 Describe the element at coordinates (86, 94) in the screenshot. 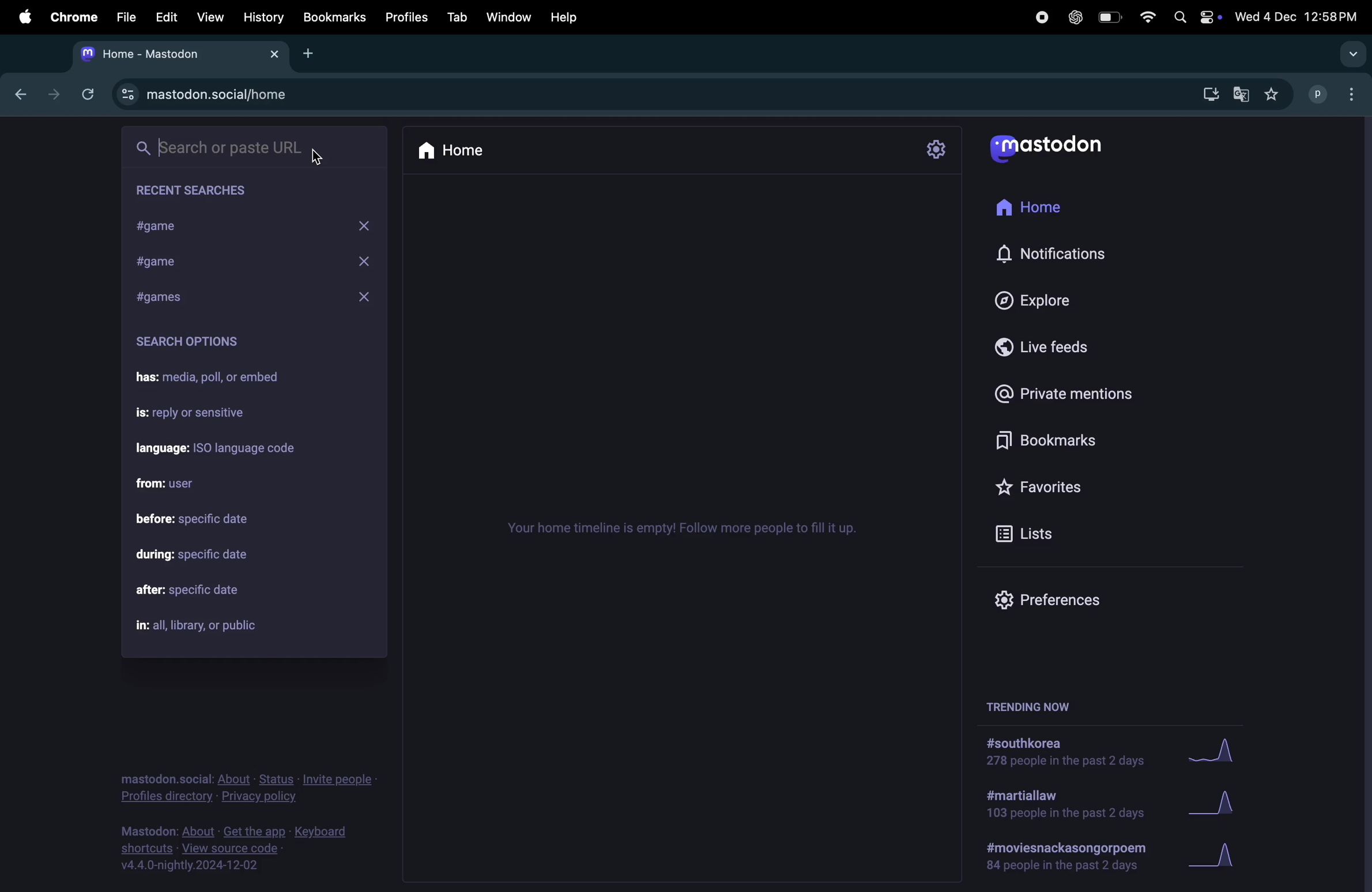

I see `refresh` at that location.